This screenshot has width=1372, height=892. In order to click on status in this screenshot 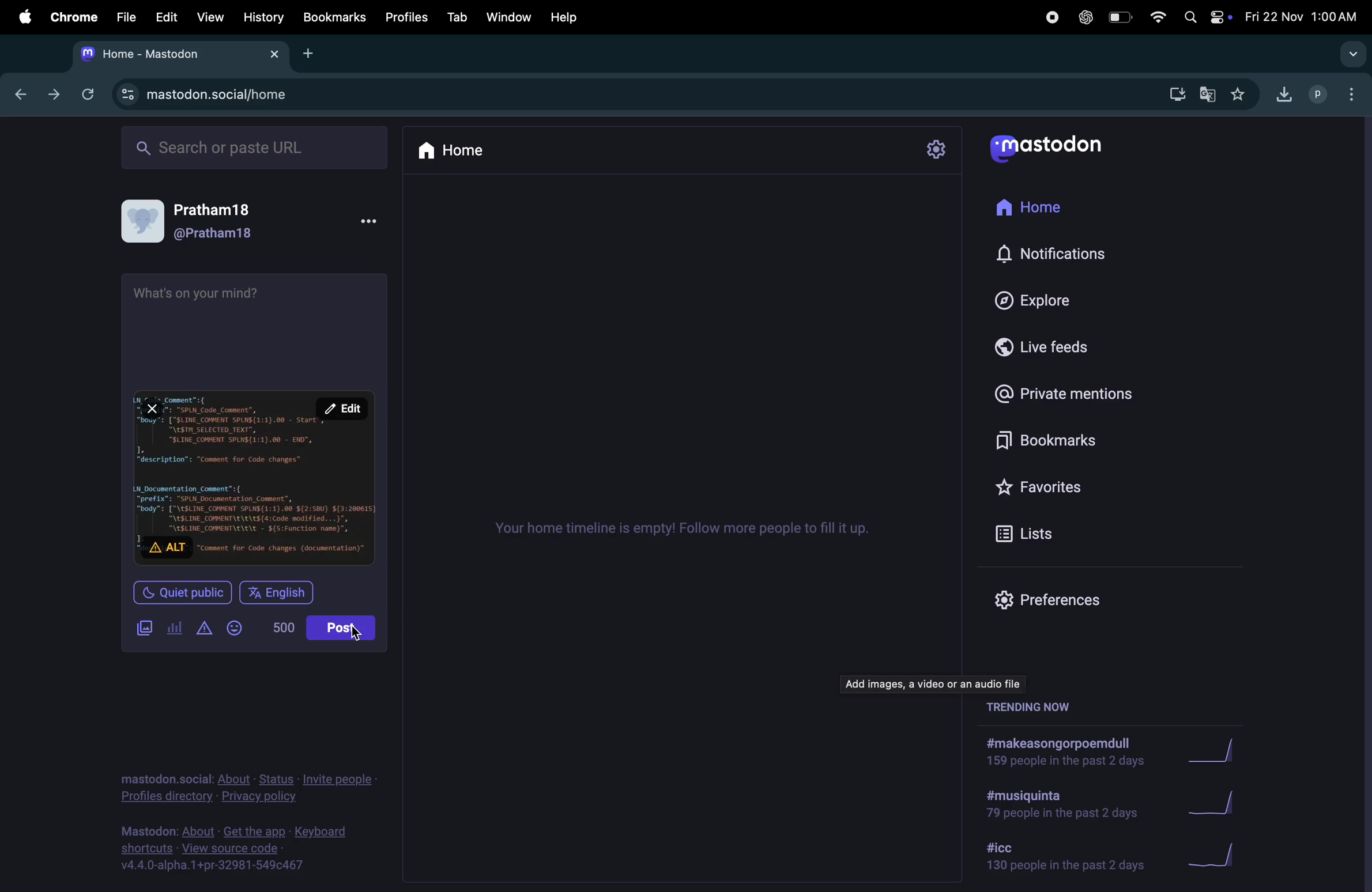, I will do `click(278, 780)`.